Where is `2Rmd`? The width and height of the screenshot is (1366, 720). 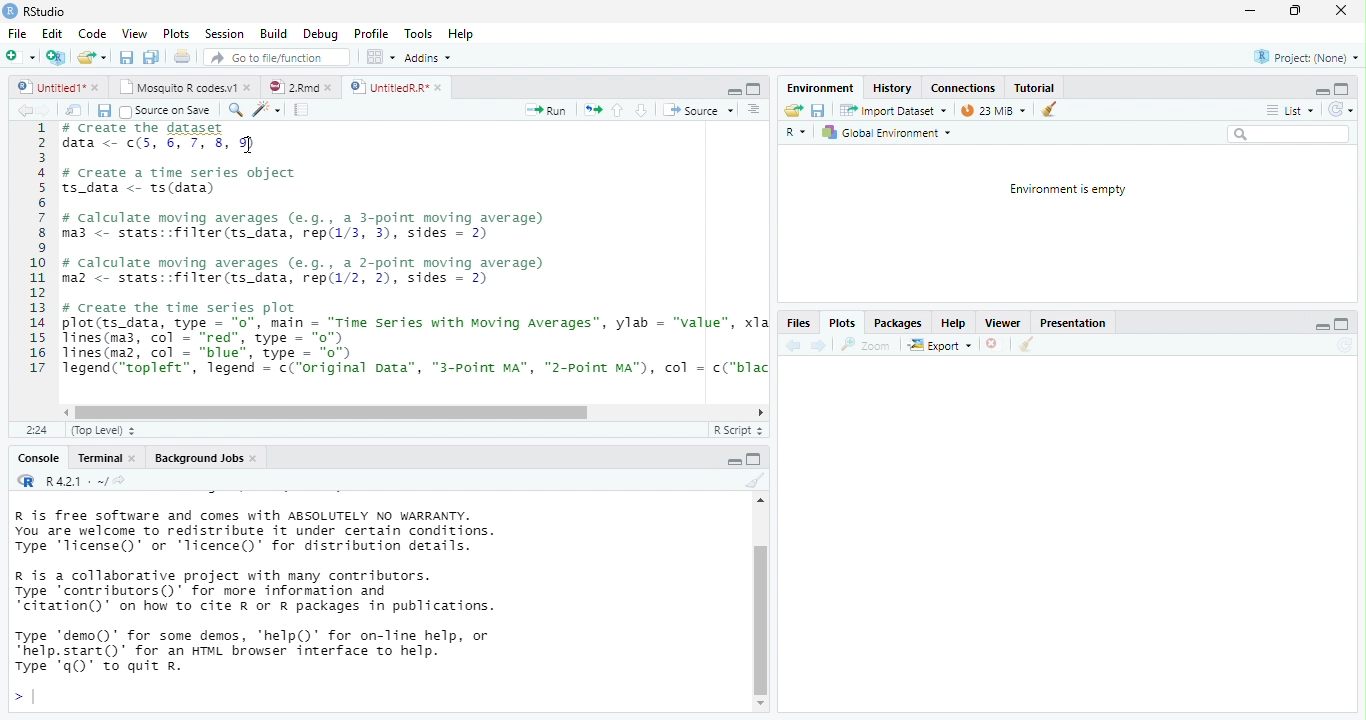
2Rmd is located at coordinates (291, 87).